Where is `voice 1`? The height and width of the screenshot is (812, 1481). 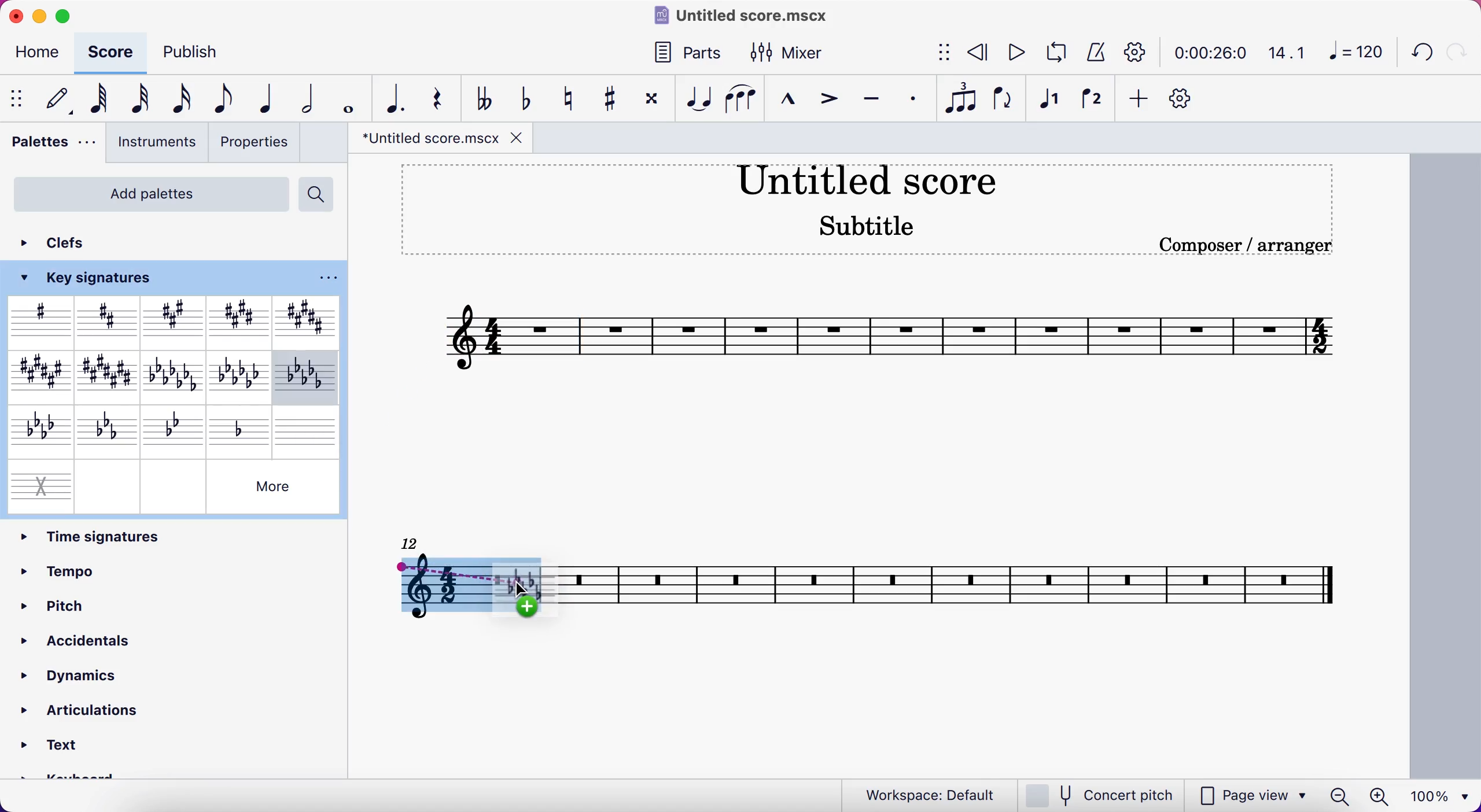
voice 1 is located at coordinates (1053, 102).